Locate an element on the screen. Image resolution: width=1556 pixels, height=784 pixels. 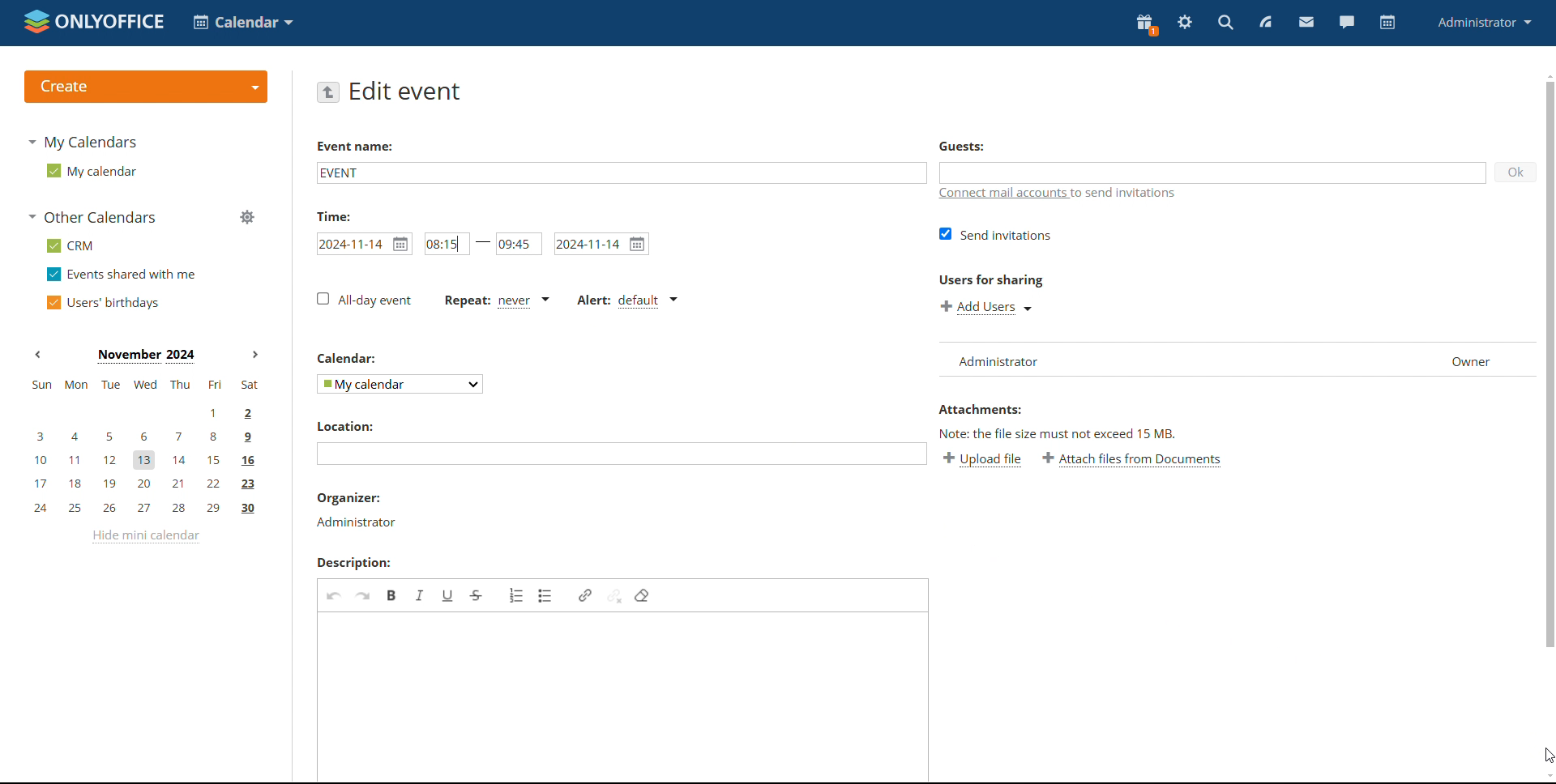
sun, mon, tue, wed, thu, fri, sat is located at coordinates (143, 385).